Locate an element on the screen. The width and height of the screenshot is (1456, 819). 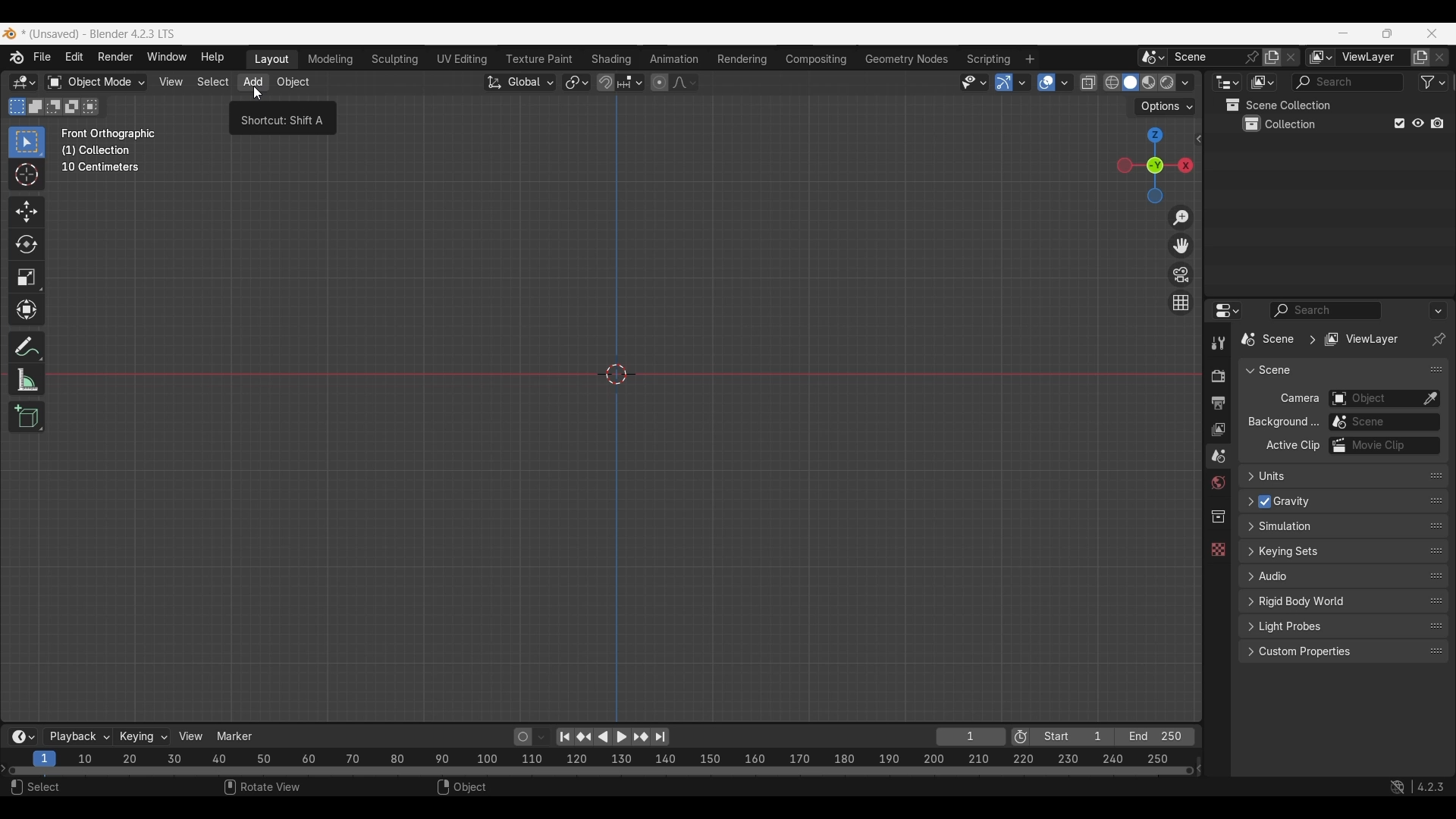
Move is located at coordinates (27, 212).